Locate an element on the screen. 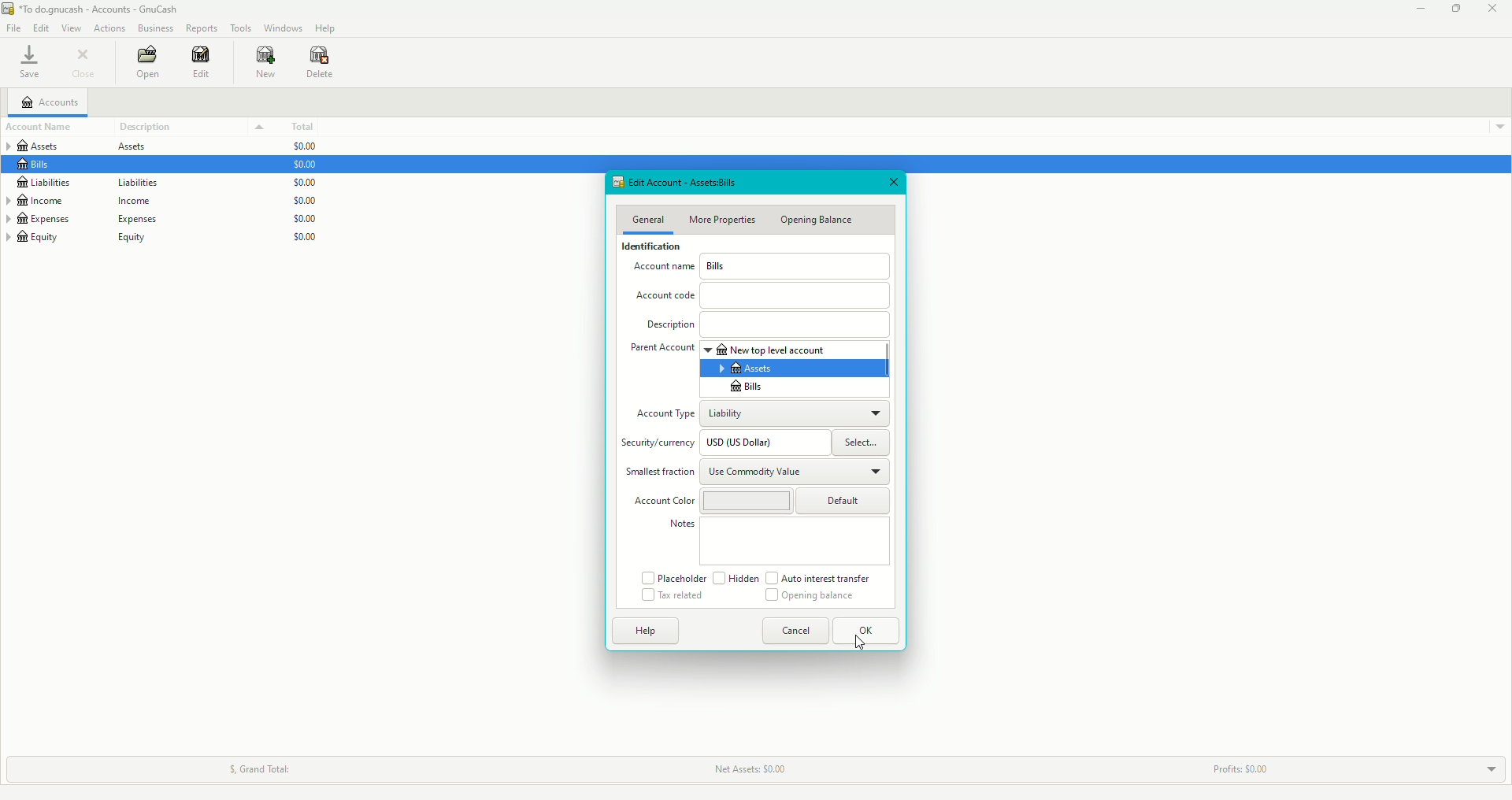  Edit is located at coordinates (44, 29).